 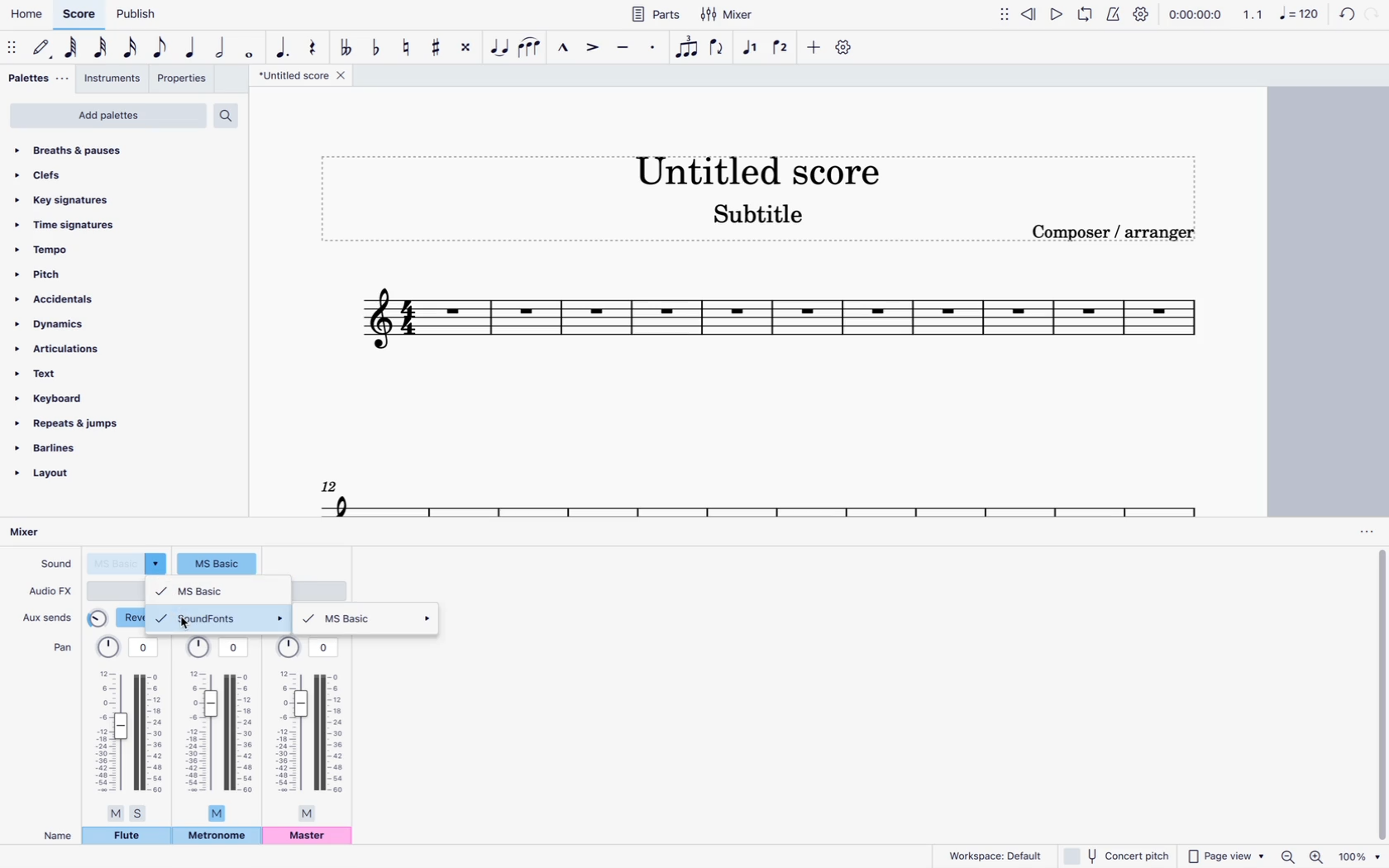 What do you see at coordinates (1318, 855) in the screenshot?
I see `zoom in` at bounding box center [1318, 855].